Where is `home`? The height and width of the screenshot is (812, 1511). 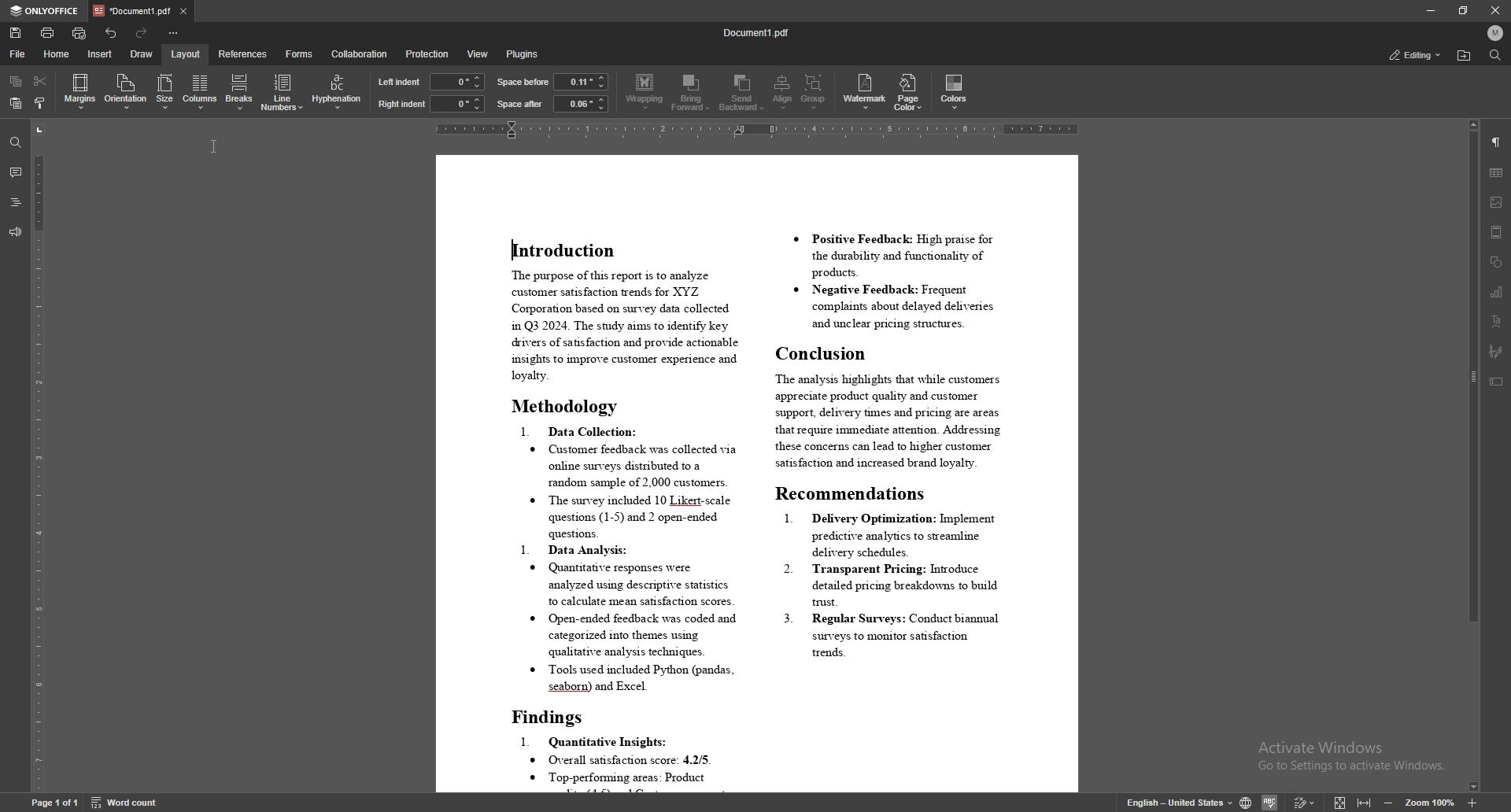 home is located at coordinates (57, 54).